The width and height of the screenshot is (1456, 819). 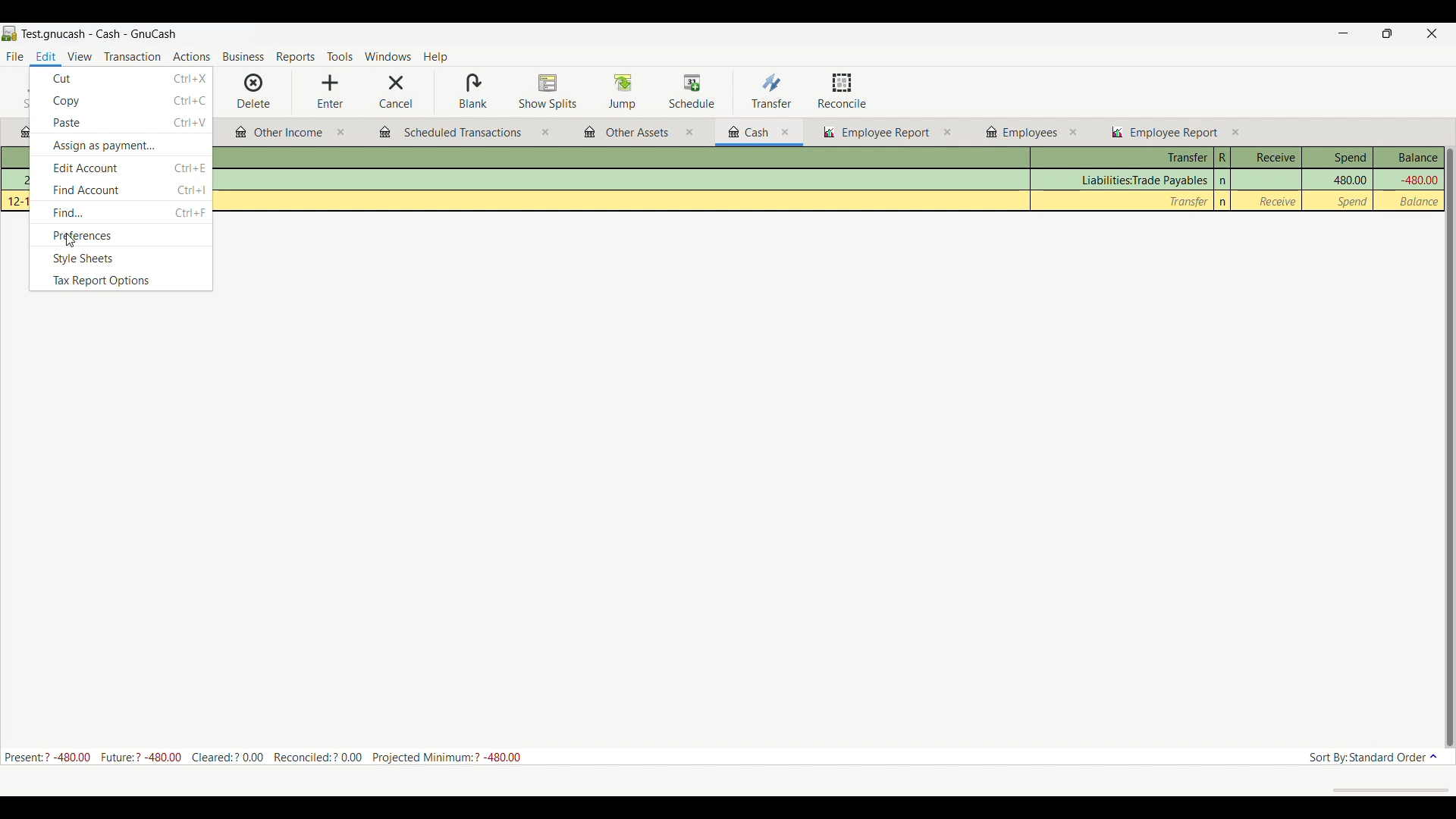 What do you see at coordinates (82, 56) in the screenshot?
I see `view` at bounding box center [82, 56].